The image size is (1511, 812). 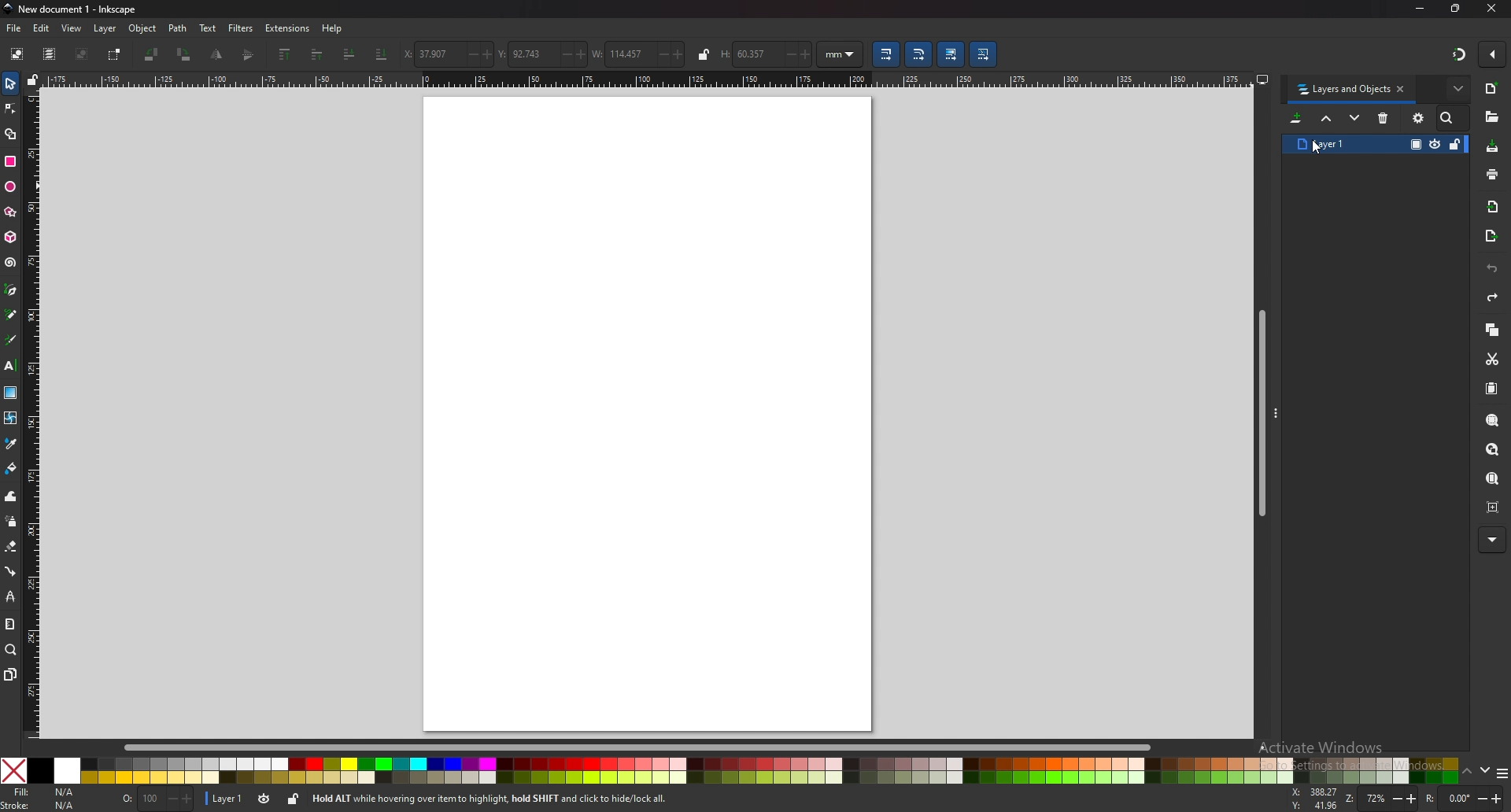 What do you see at coordinates (72, 28) in the screenshot?
I see `view` at bounding box center [72, 28].